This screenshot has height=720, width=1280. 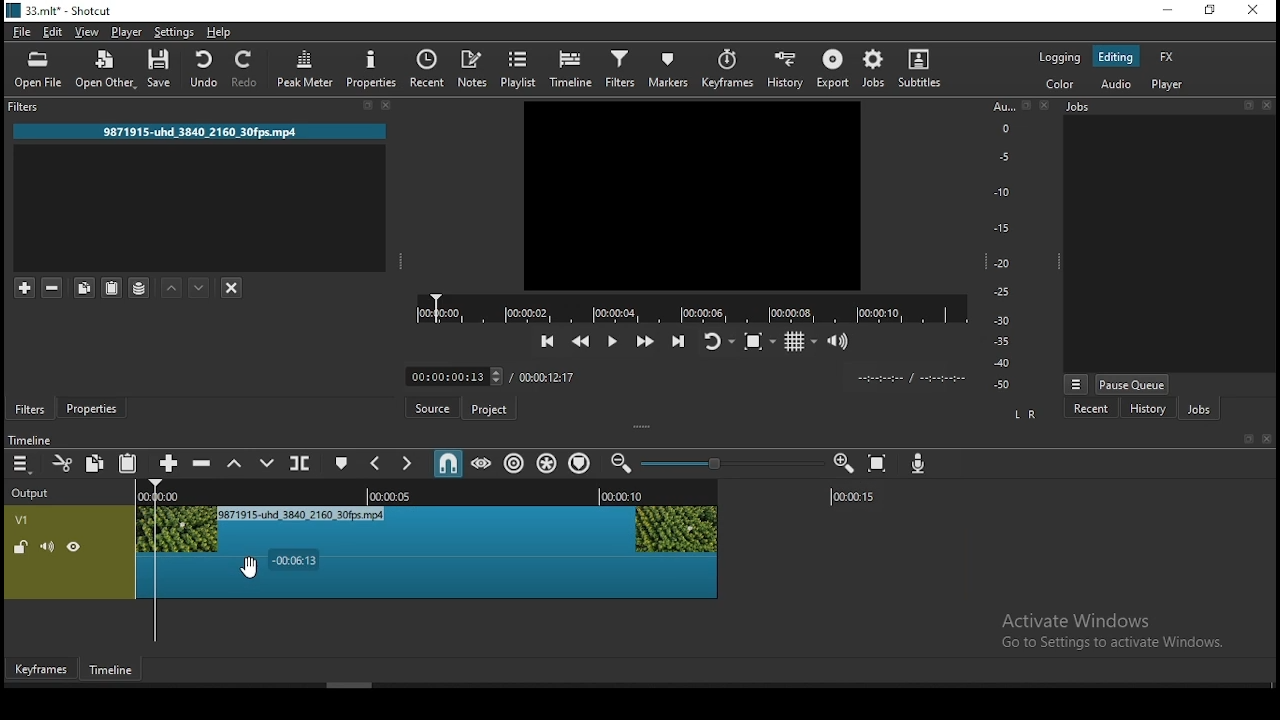 What do you see at coordinates (1270, 439) in the screenshot?
I see `close` at bounding box center [1270, 439].